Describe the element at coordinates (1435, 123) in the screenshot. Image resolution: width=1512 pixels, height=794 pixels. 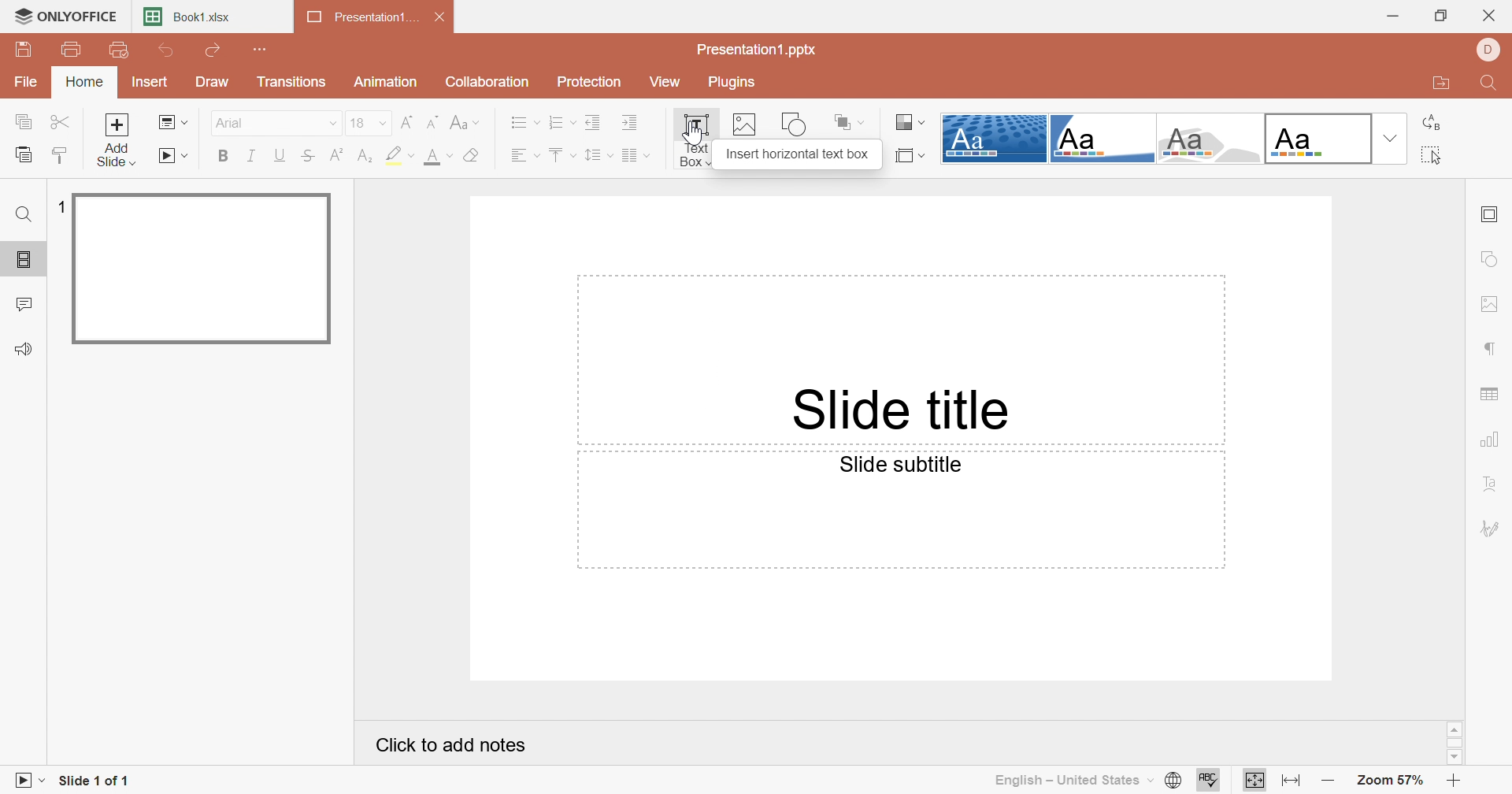
I see `Replace` at that location.